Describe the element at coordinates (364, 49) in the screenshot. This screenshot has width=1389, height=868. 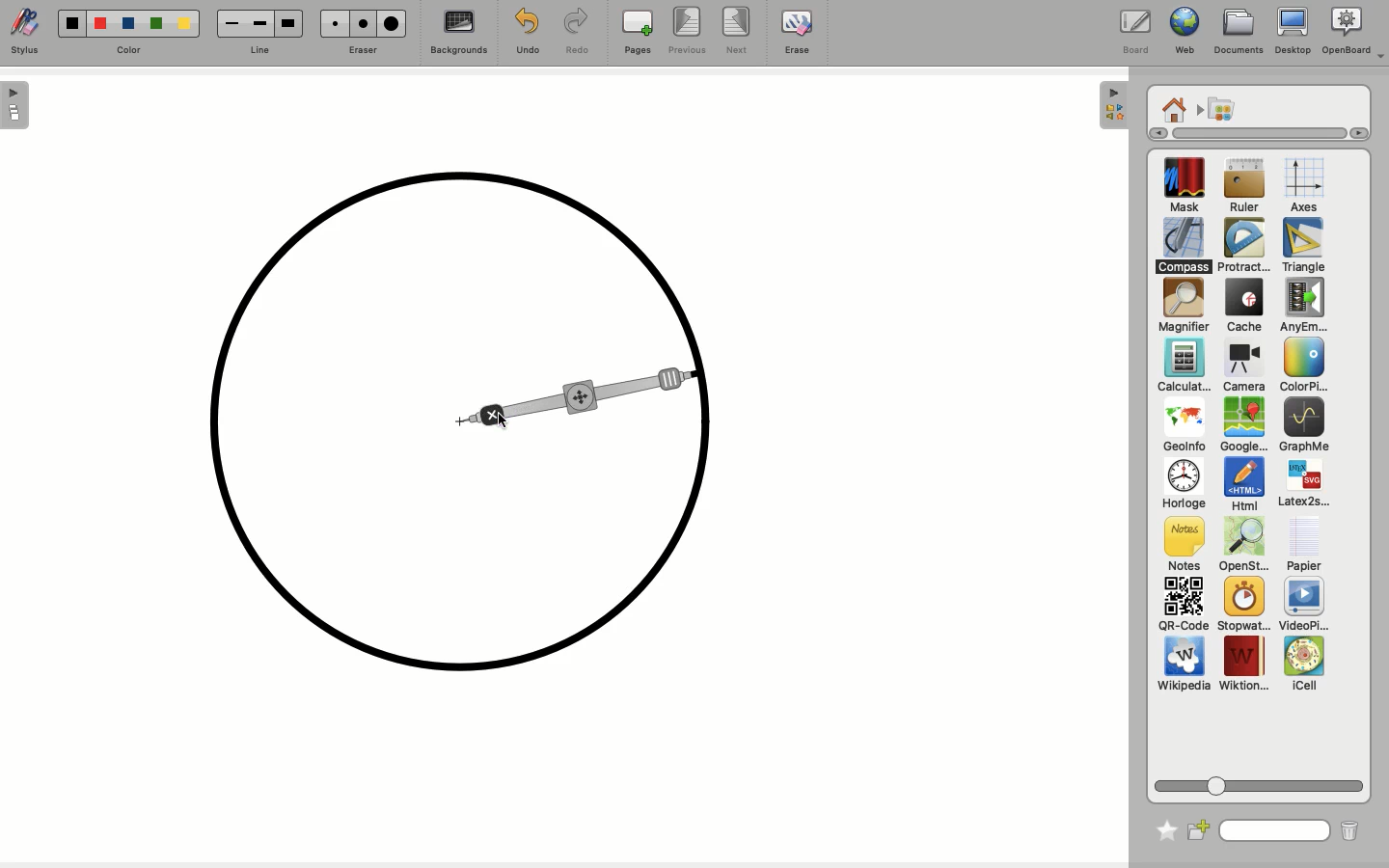
I see `Eraser` at that location.